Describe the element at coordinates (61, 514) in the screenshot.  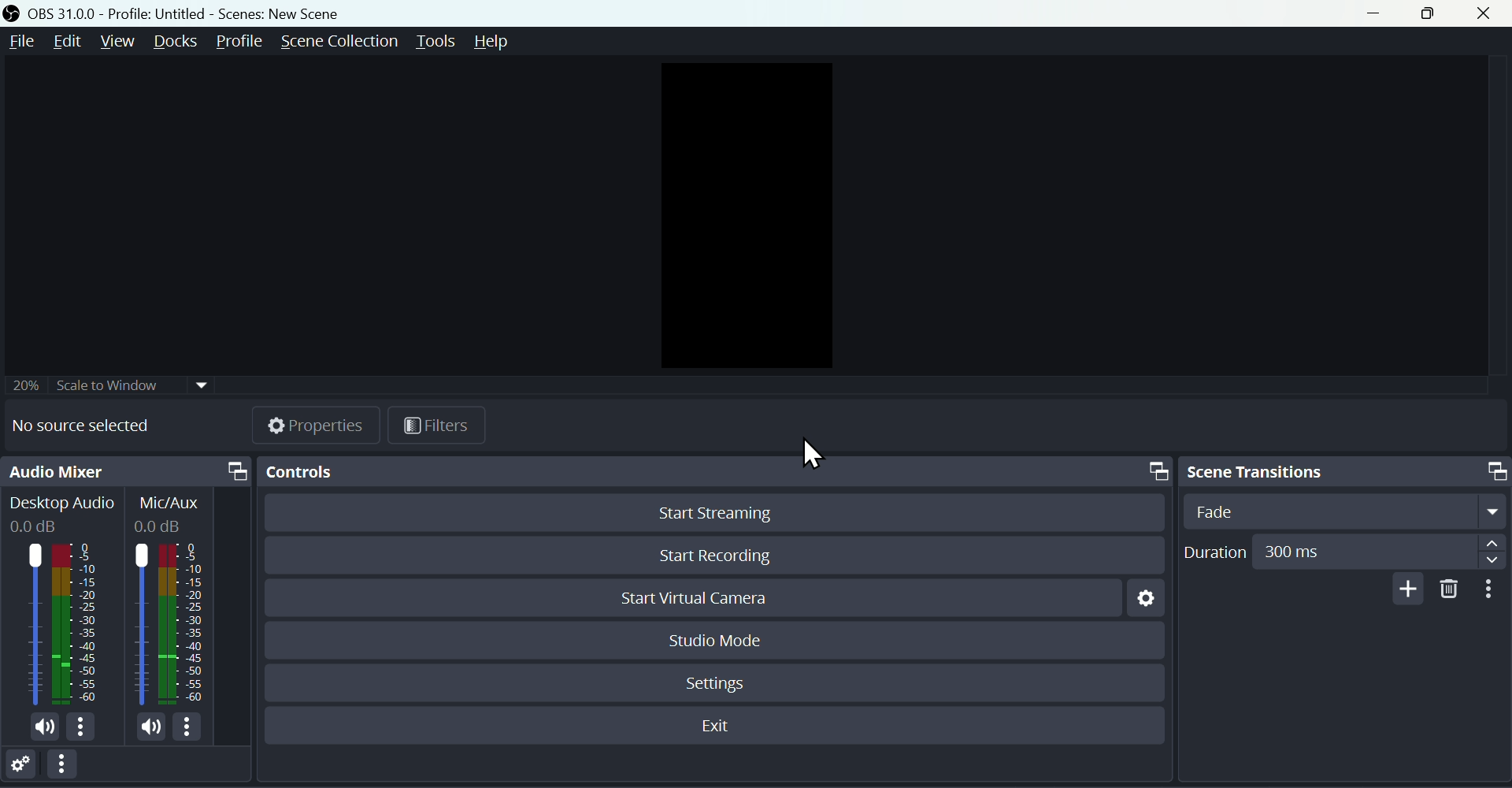
I see `Desktop Audio` at that location.